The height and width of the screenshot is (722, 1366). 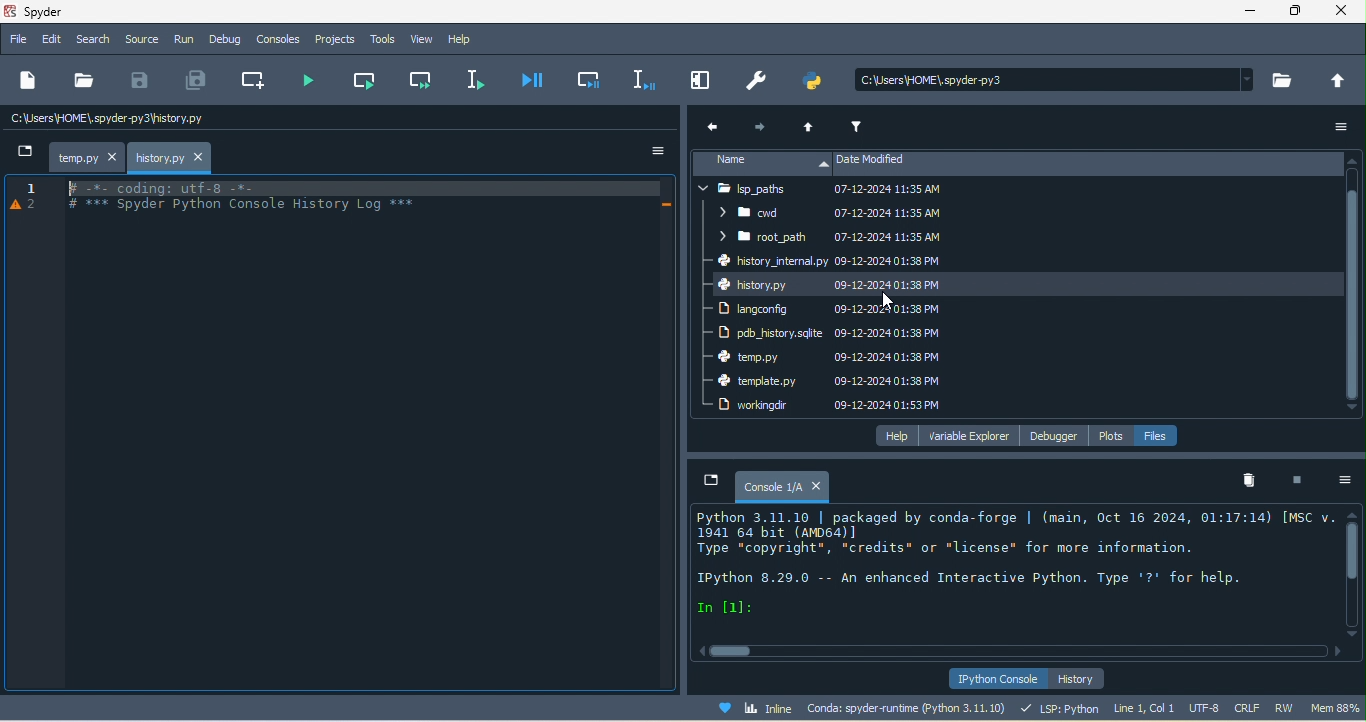 I want to click on Spyder log files appeared, so click(x=342, y=241).